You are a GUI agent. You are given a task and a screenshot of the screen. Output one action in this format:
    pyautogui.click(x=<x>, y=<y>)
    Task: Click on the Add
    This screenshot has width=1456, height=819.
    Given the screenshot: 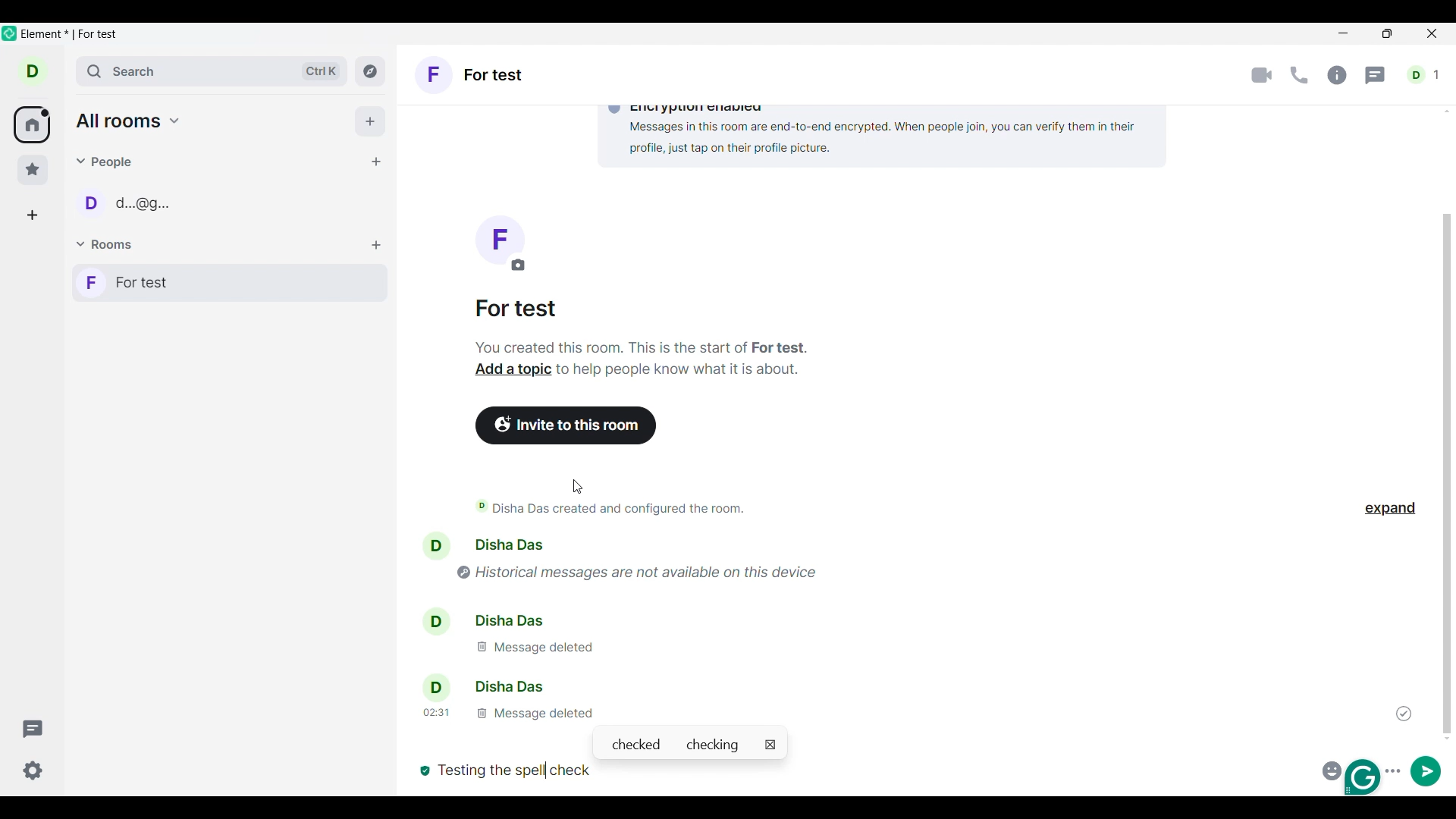 What is the action you would take?
    pyautogui.click(x=370, y=121)
    